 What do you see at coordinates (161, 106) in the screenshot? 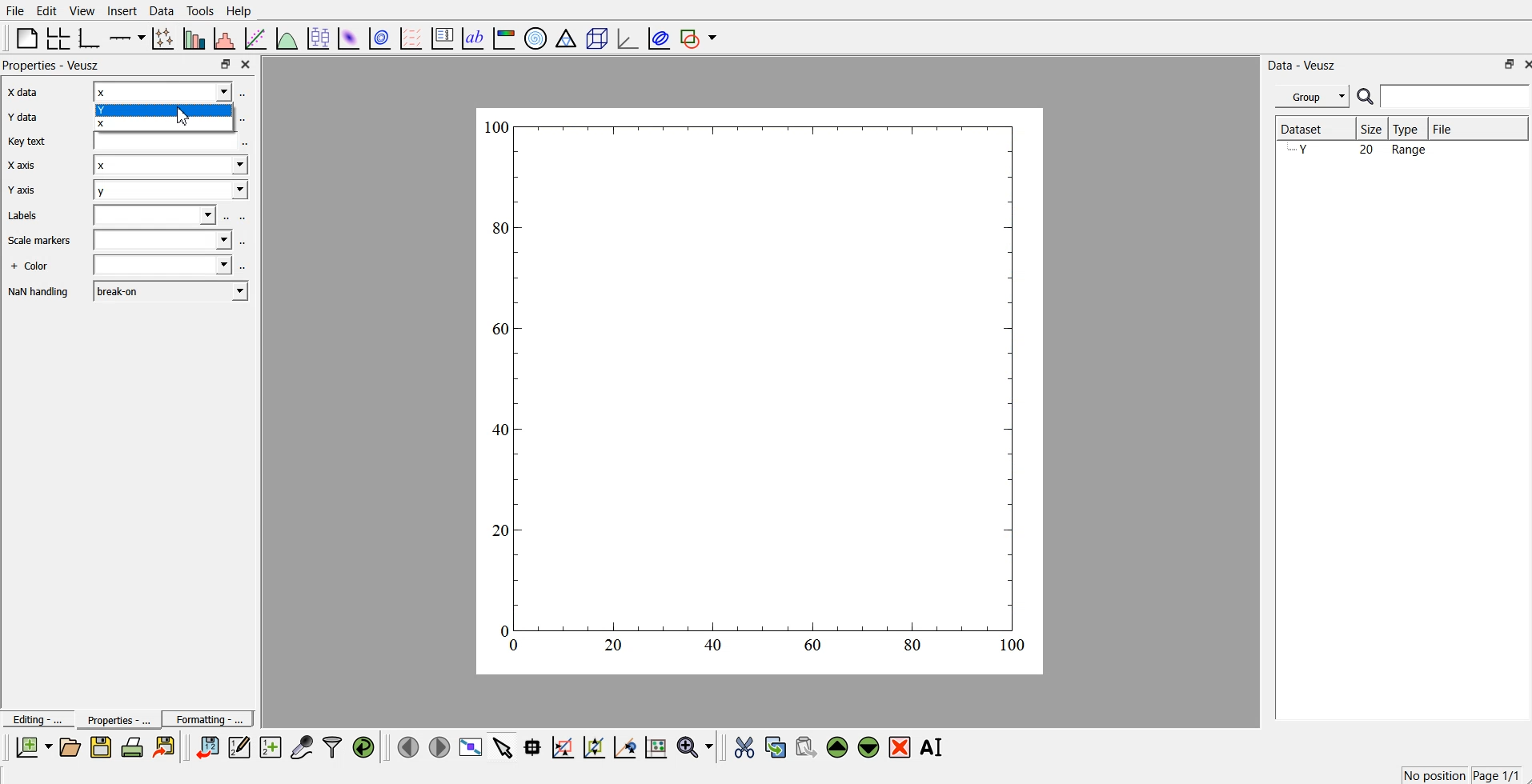
I see `x y x` at bounding box center [161, 106].